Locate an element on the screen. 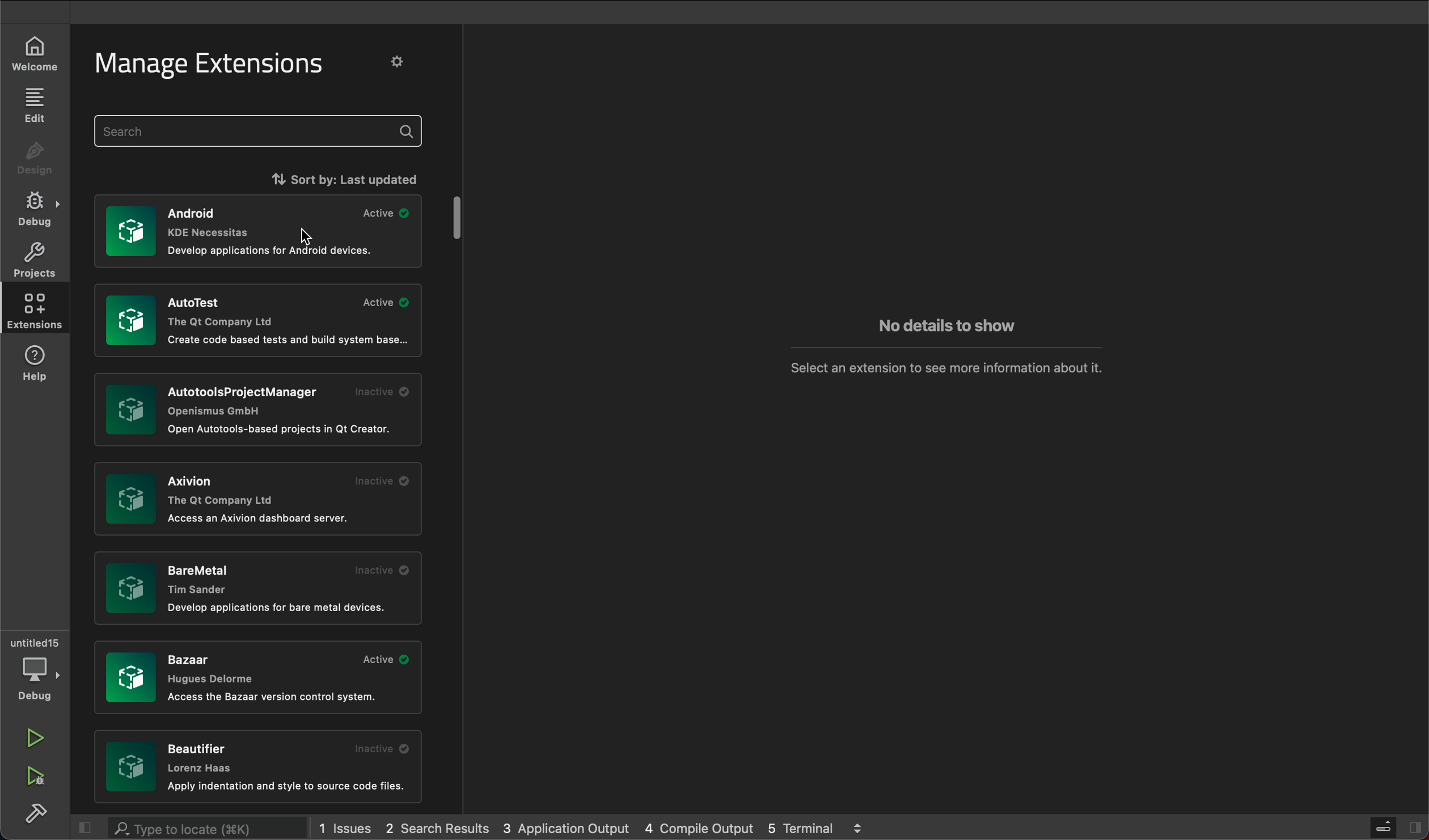 The width and height of the screenshot is (1429, 840). logs is located at coordinates (443, 827).